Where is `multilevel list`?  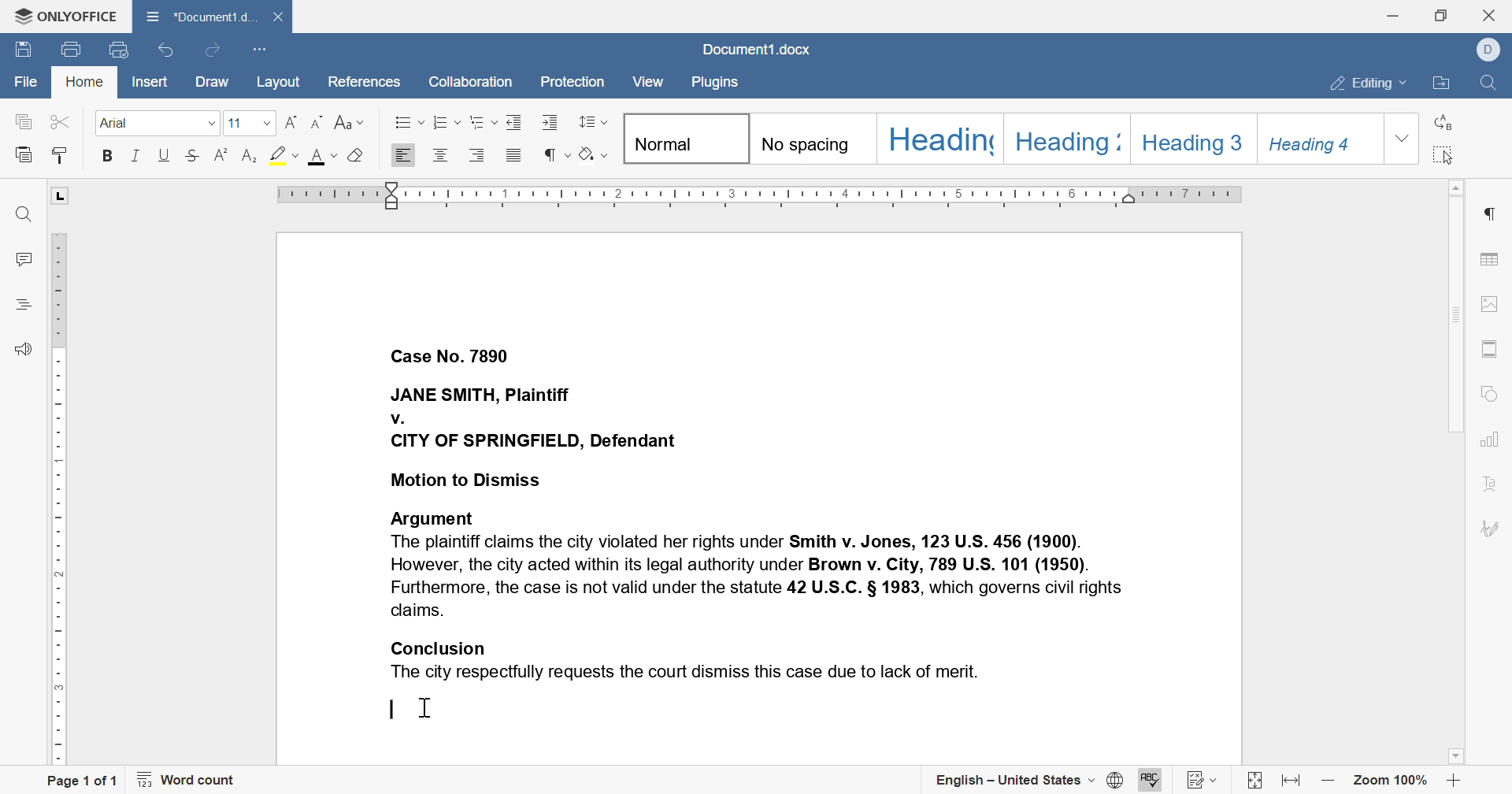
multilevel list is located at coordinates (483, 121).